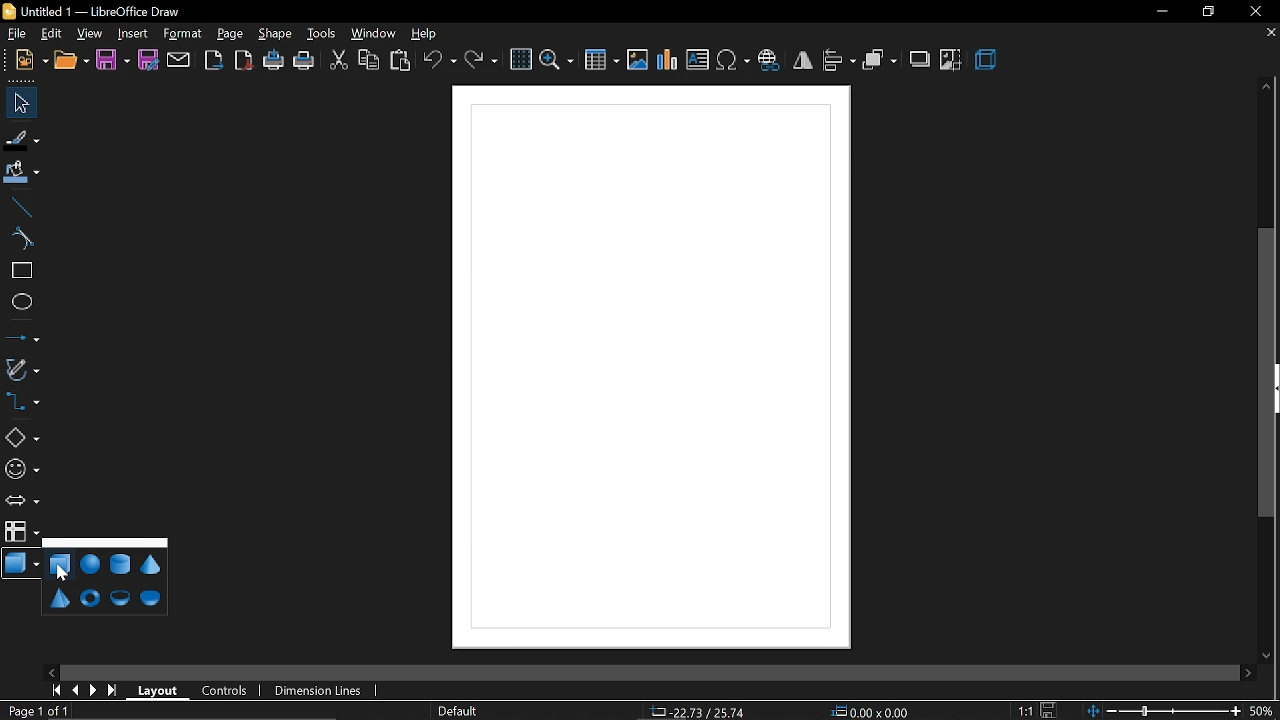 The height and width of the screenshot is (720, 1280). Describe the element at coordinates (90, 564) in the screenshot. I see `sphere` at that location.